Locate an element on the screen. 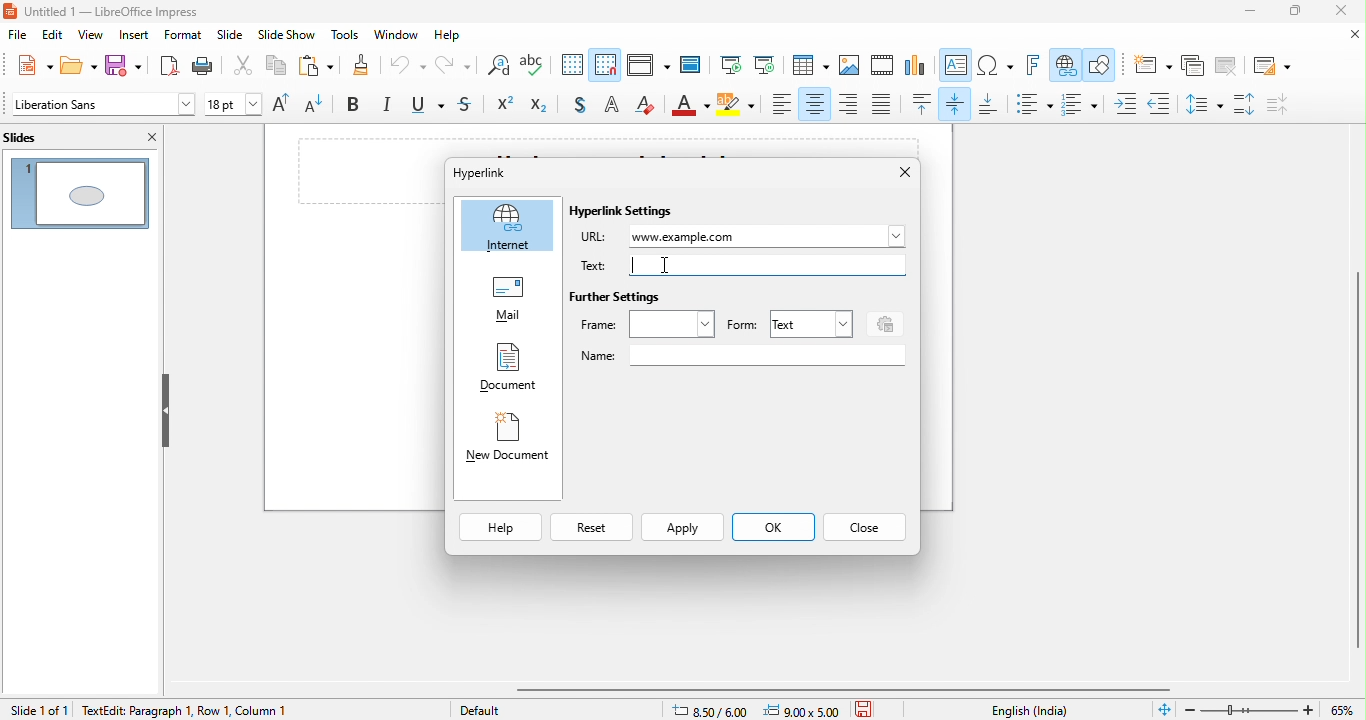 The height and width of the screenshot is (720, 1366). align center is located at coordinates (815, 104).